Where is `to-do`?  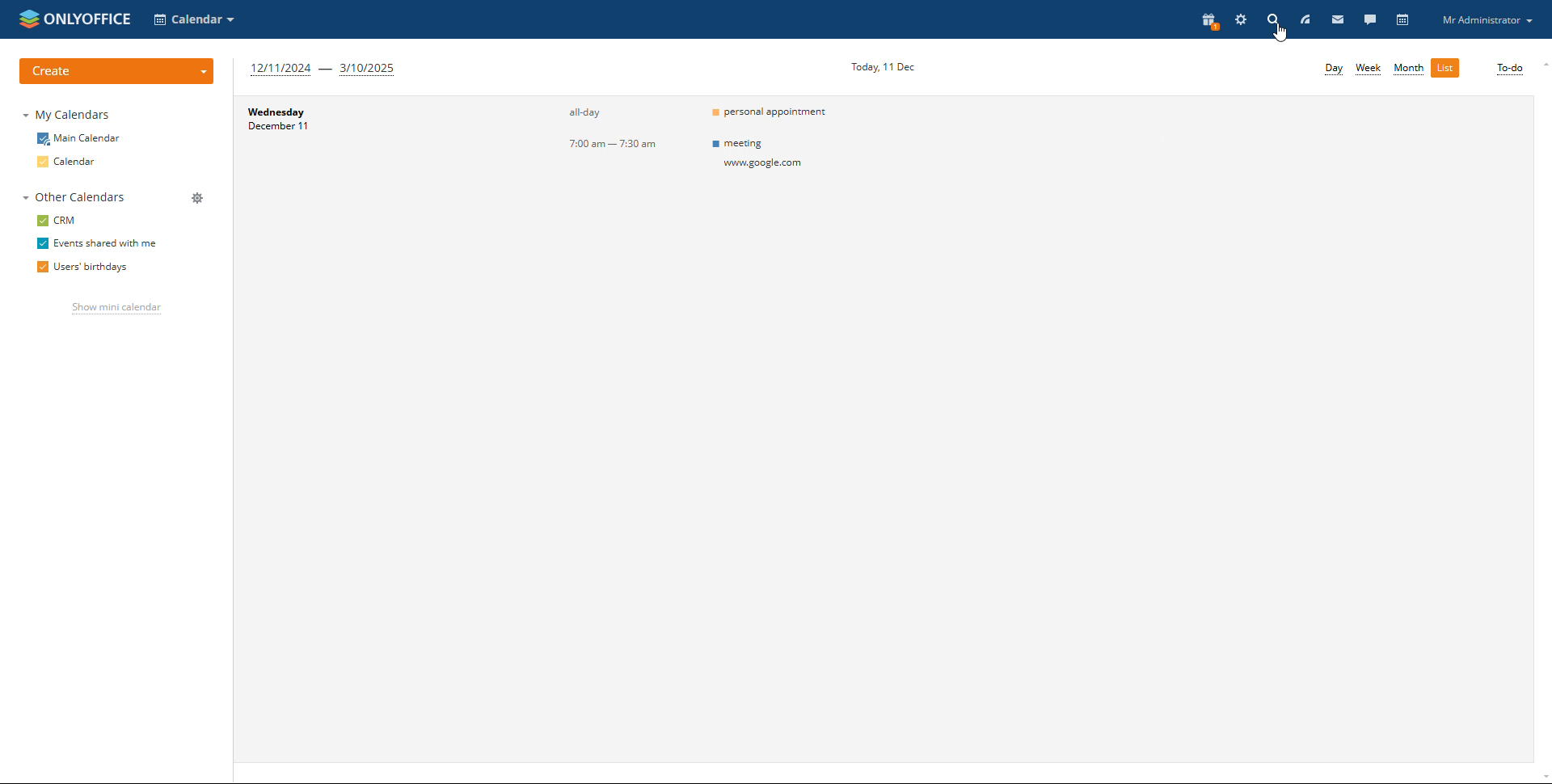
to-do is located at coordinates (1509, 70).